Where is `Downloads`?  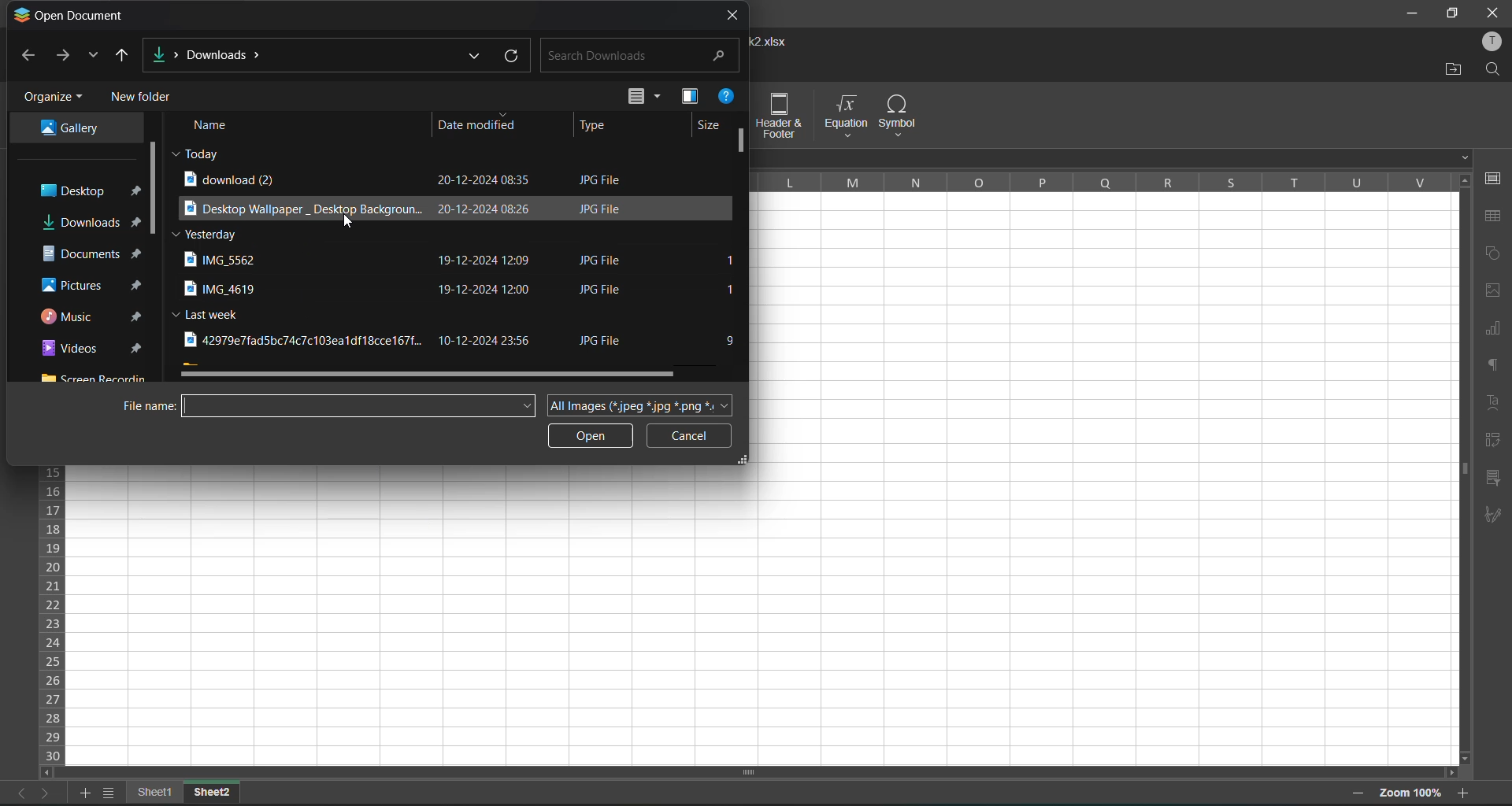 Downloads is located at coordinates (211, 55).